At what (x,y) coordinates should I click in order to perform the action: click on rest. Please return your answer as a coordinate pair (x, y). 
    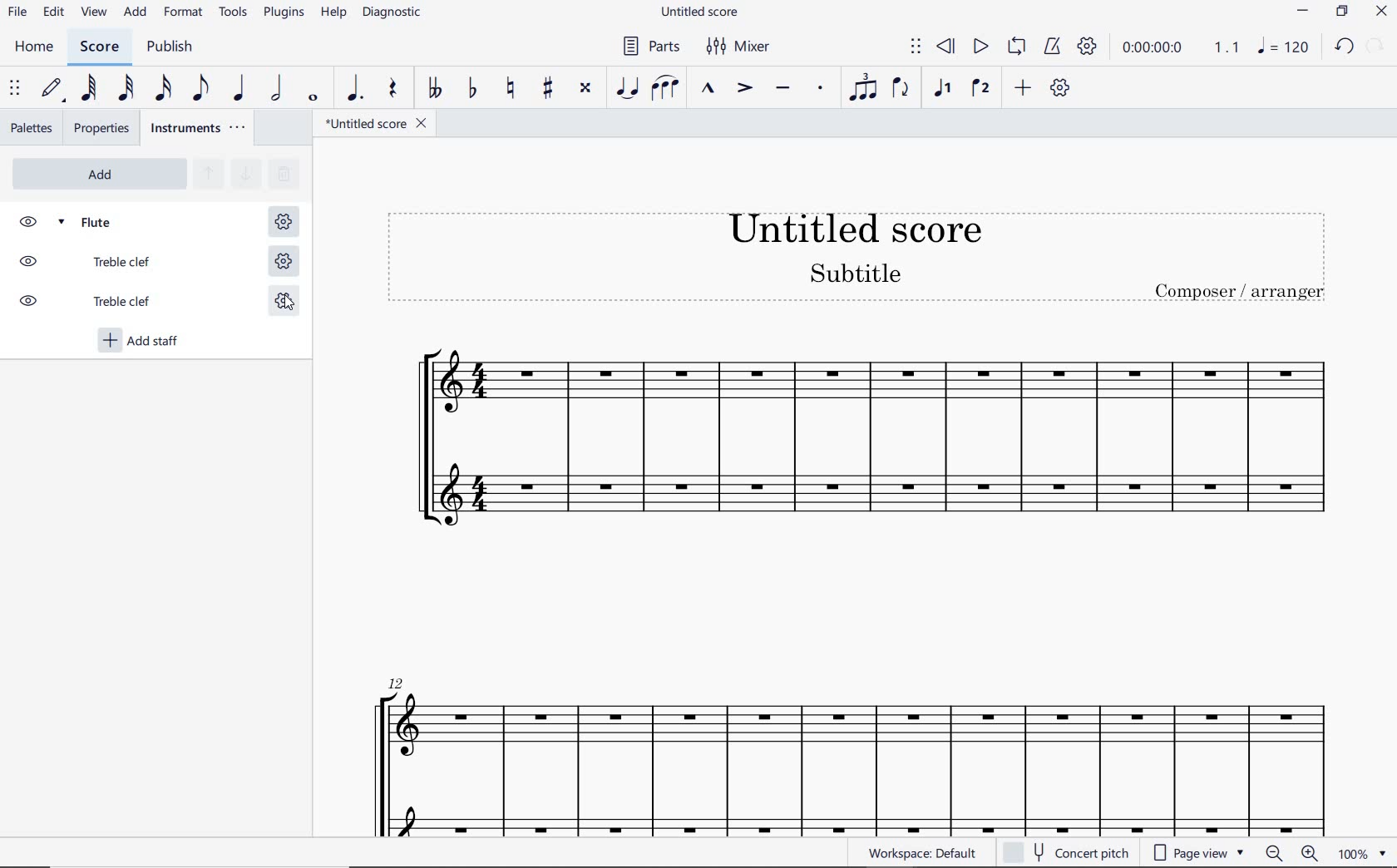
    Looking at the image, I should click on (391, 91).